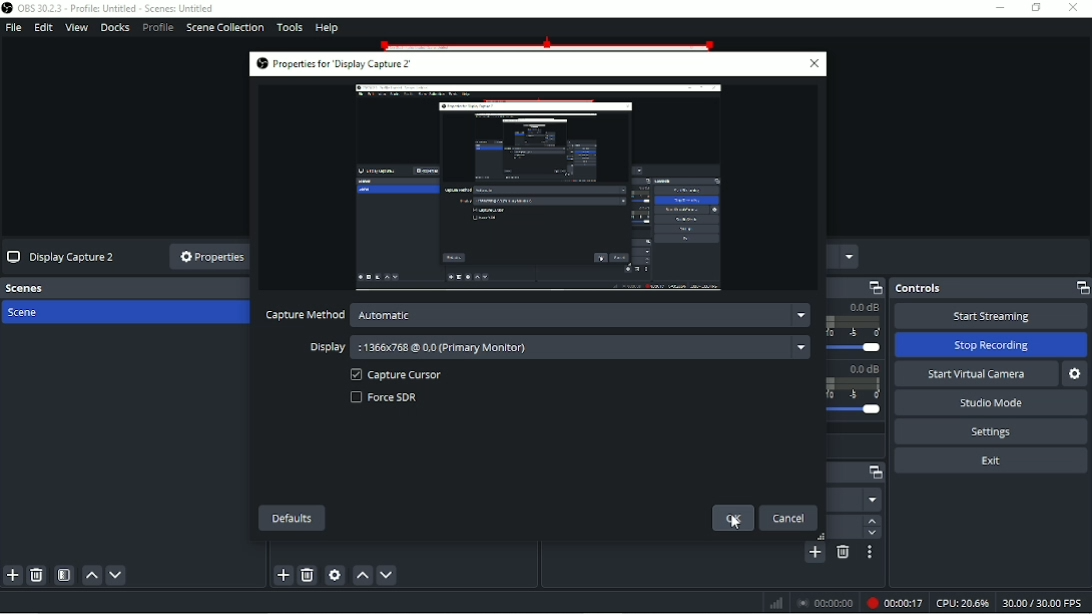 The width and height of the screenshot is (1092, 614). Describe the element at coordinates (327, 28) in the screenshot. I see `Help` at that location.